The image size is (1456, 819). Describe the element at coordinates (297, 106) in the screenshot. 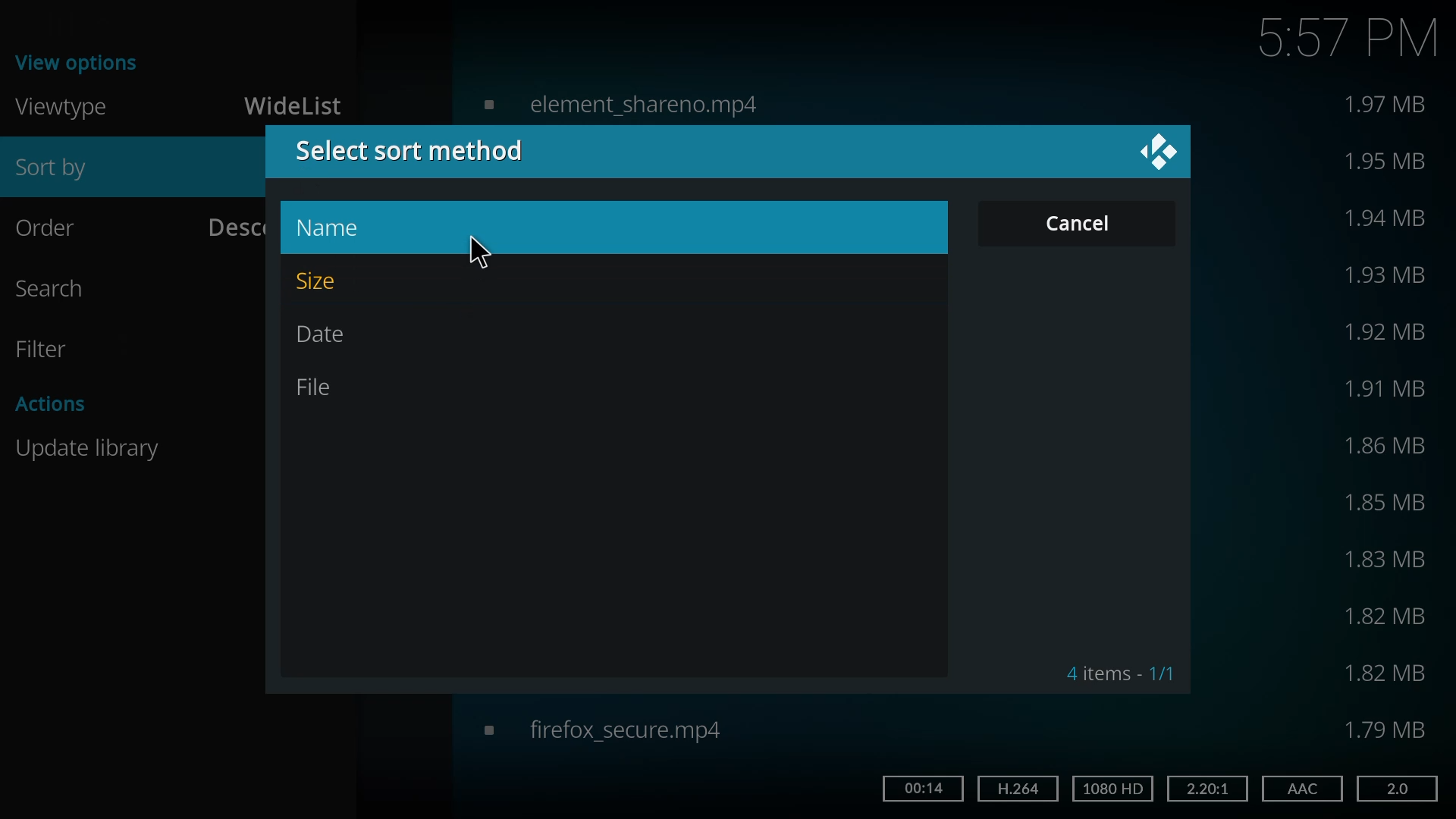

I see `widelist` at that location.